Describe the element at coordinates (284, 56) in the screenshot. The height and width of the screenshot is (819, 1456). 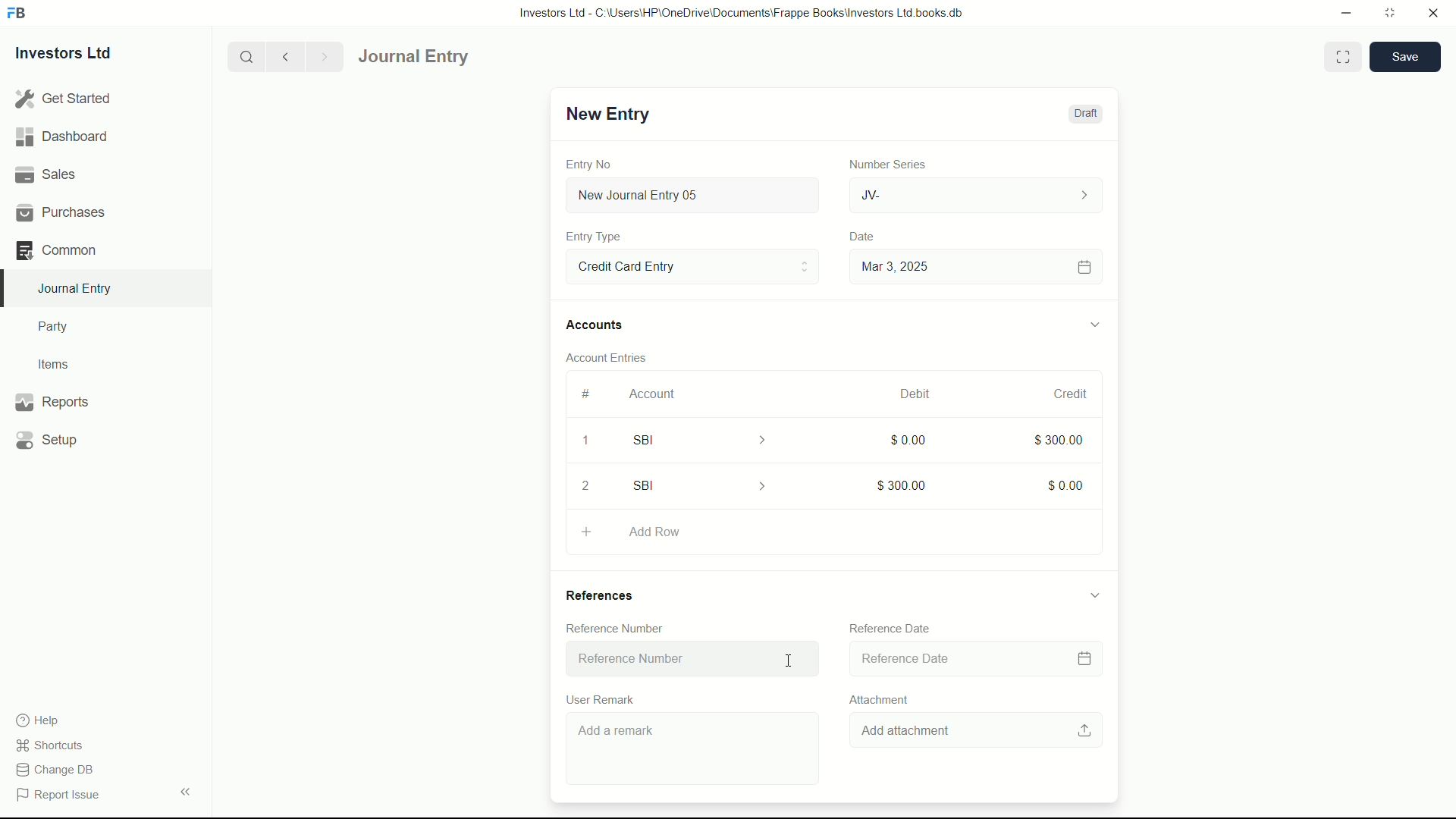
I see `previous` at that location.